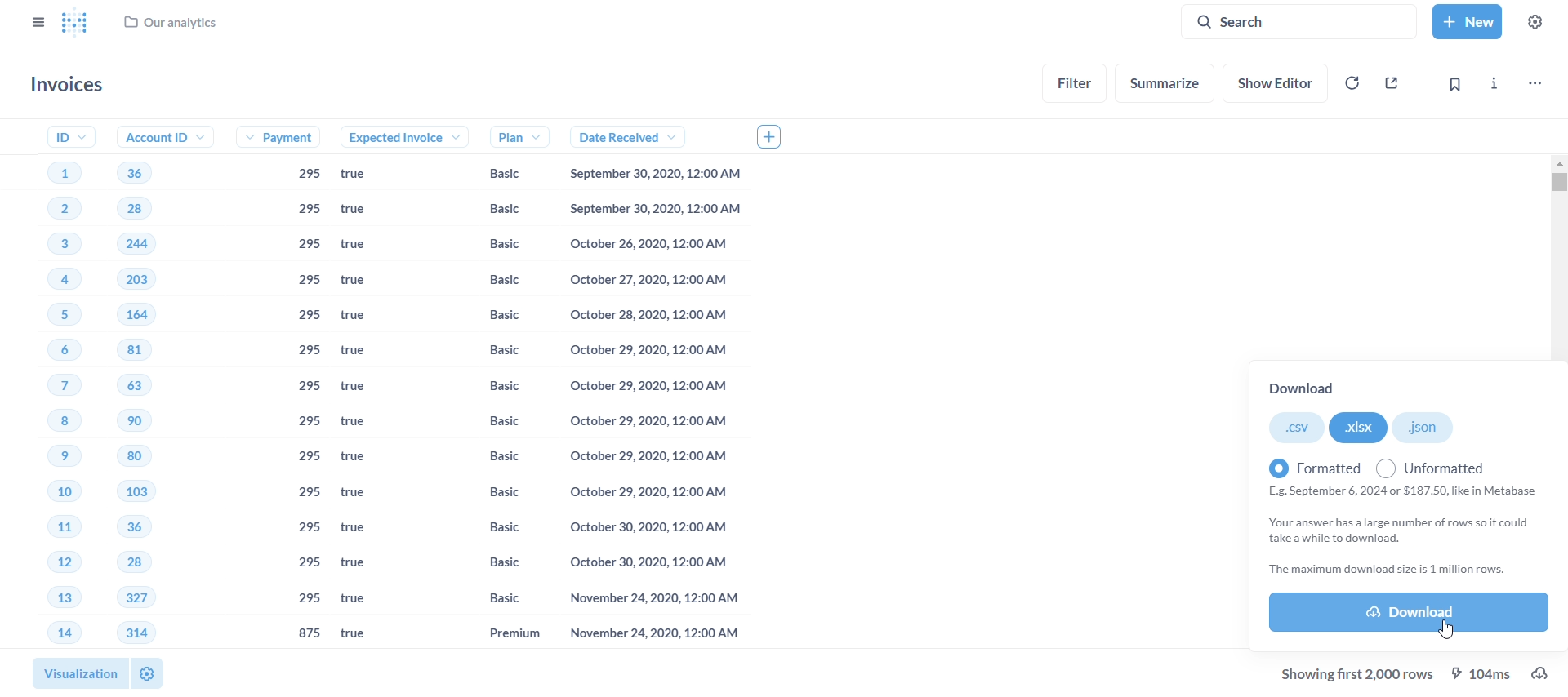  Describe the element at coordinates (497, 529) in the screenshot. I see `Basic` at that location.